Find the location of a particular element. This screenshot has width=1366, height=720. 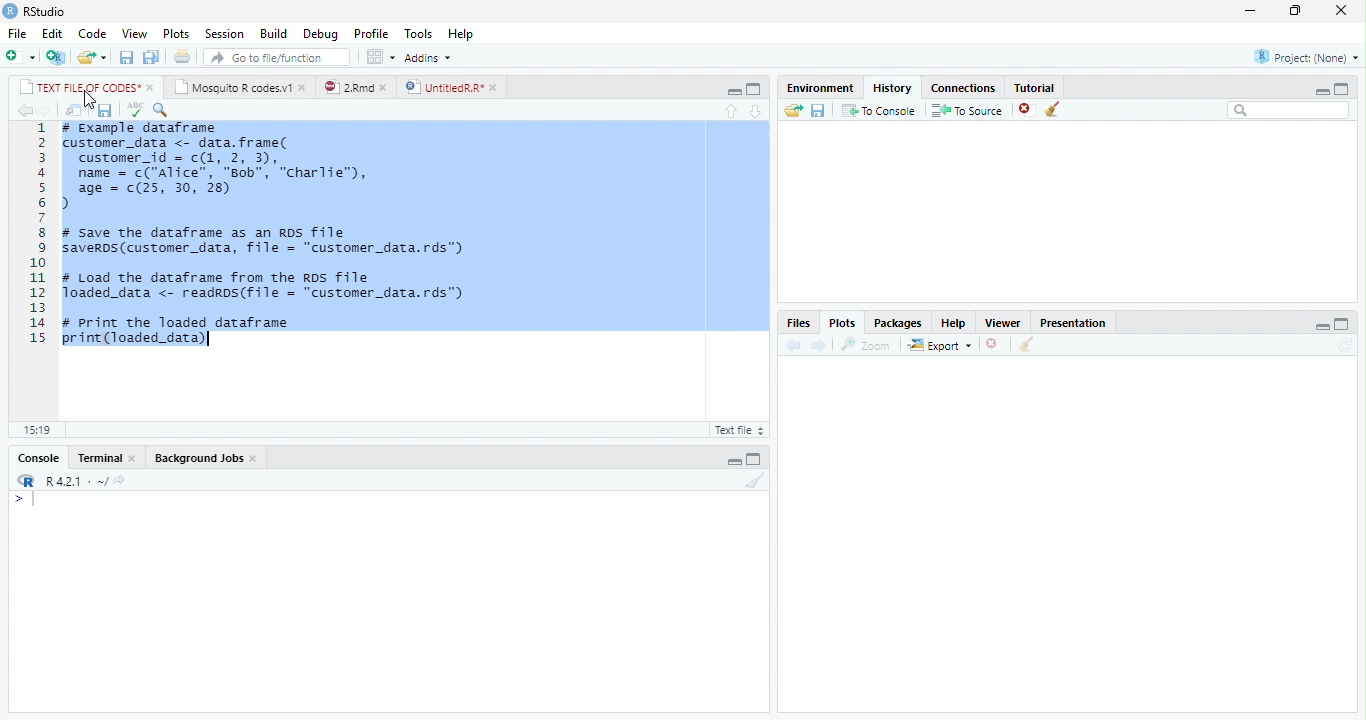

Profile is located at coordinates (371, 33).